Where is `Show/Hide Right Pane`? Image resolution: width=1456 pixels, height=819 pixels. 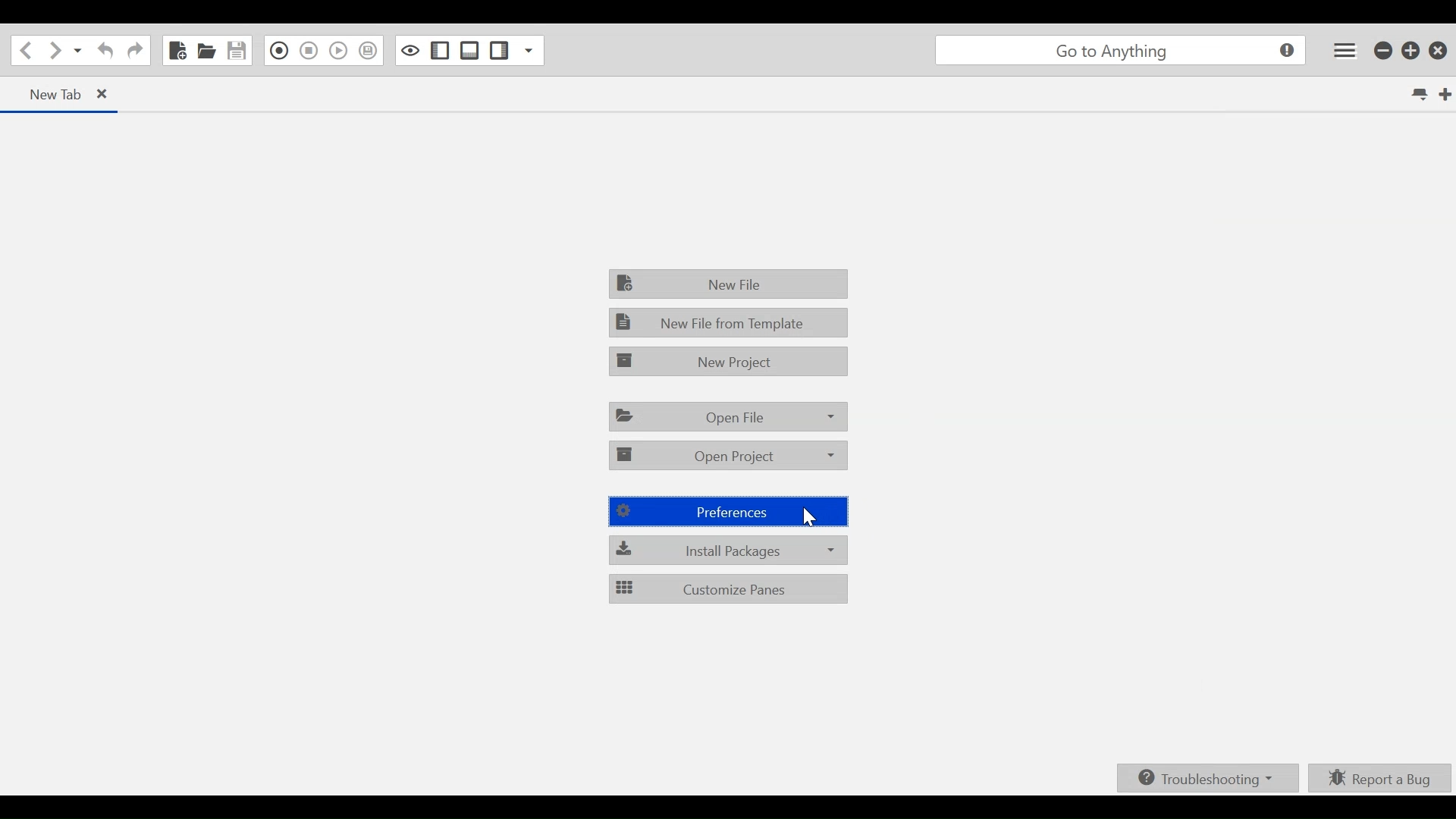 Show/Hide Right Pane is located at coordinates (440, 50).